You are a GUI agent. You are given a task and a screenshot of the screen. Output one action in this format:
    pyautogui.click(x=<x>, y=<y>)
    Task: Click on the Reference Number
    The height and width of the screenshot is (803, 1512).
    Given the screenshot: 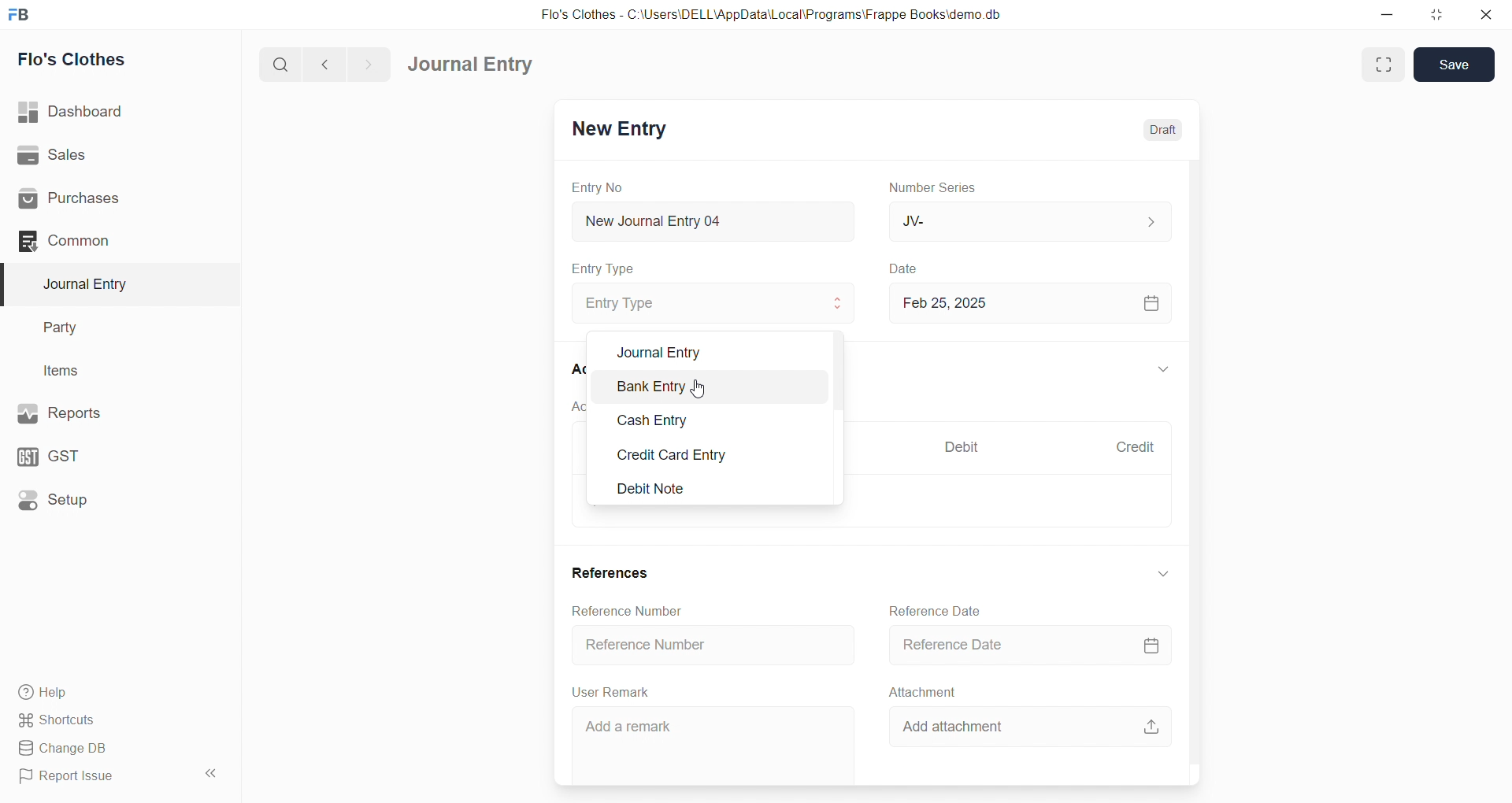 What is the action you would take?
    pyautogui.click(x=715, y=643)
    